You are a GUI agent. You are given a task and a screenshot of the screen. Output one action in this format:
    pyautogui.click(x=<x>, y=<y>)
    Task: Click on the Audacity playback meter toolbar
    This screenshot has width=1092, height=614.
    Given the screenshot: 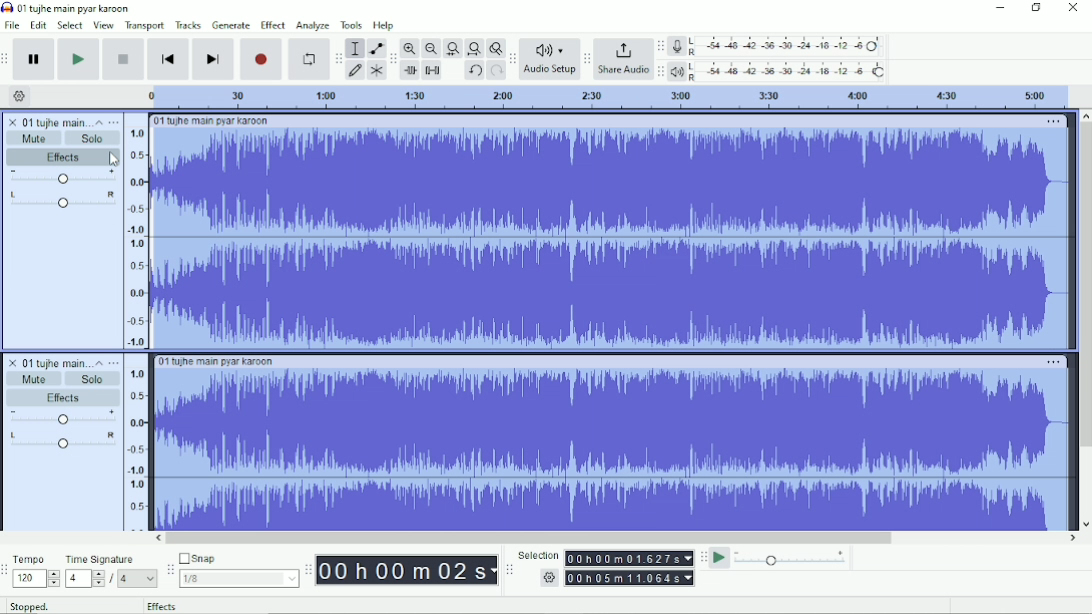 What is the action you would take?
    pyautogui.click(x=660, y=73)
    